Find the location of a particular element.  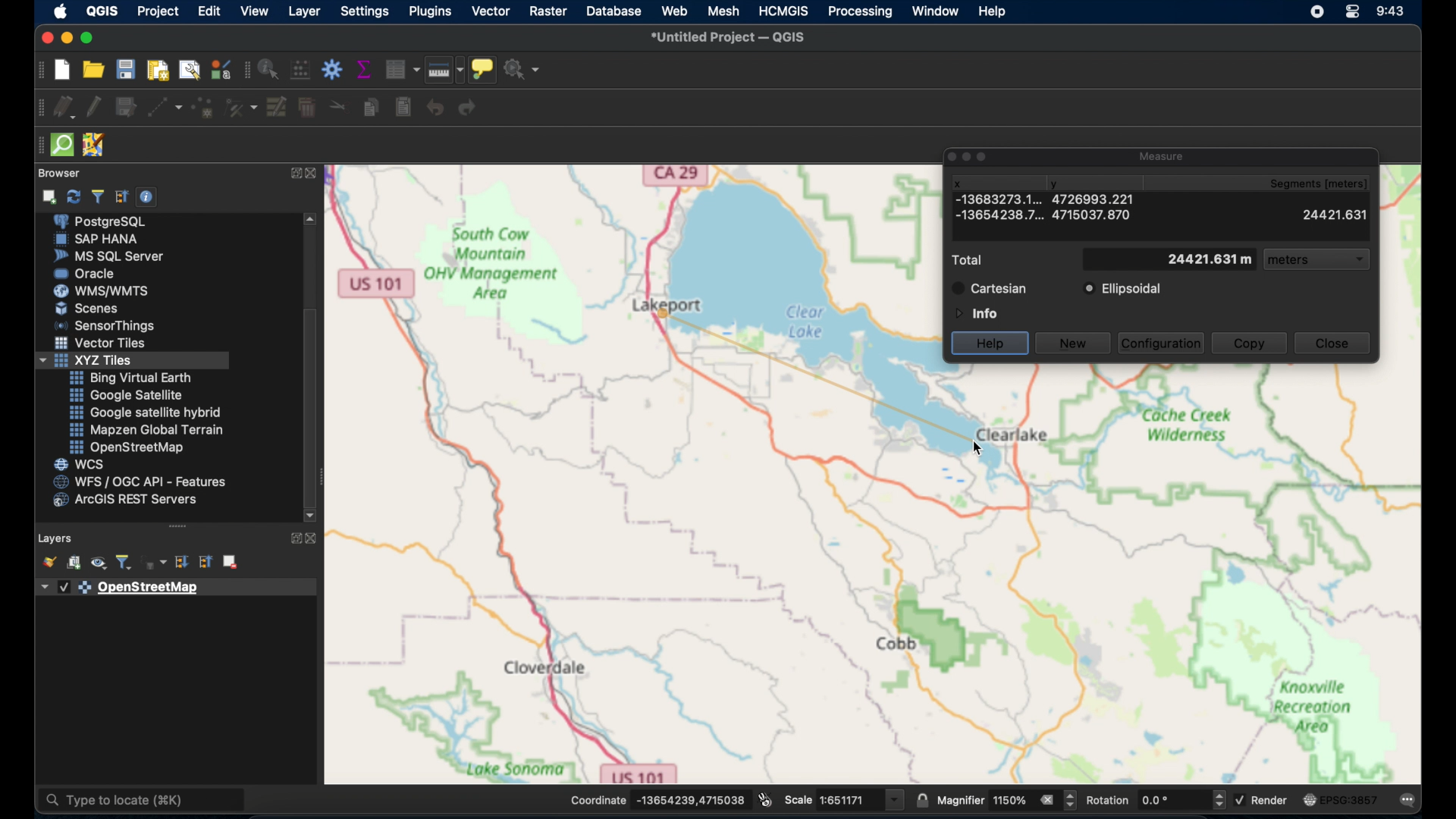

JSOM remote is located at coordinates (93, 143).